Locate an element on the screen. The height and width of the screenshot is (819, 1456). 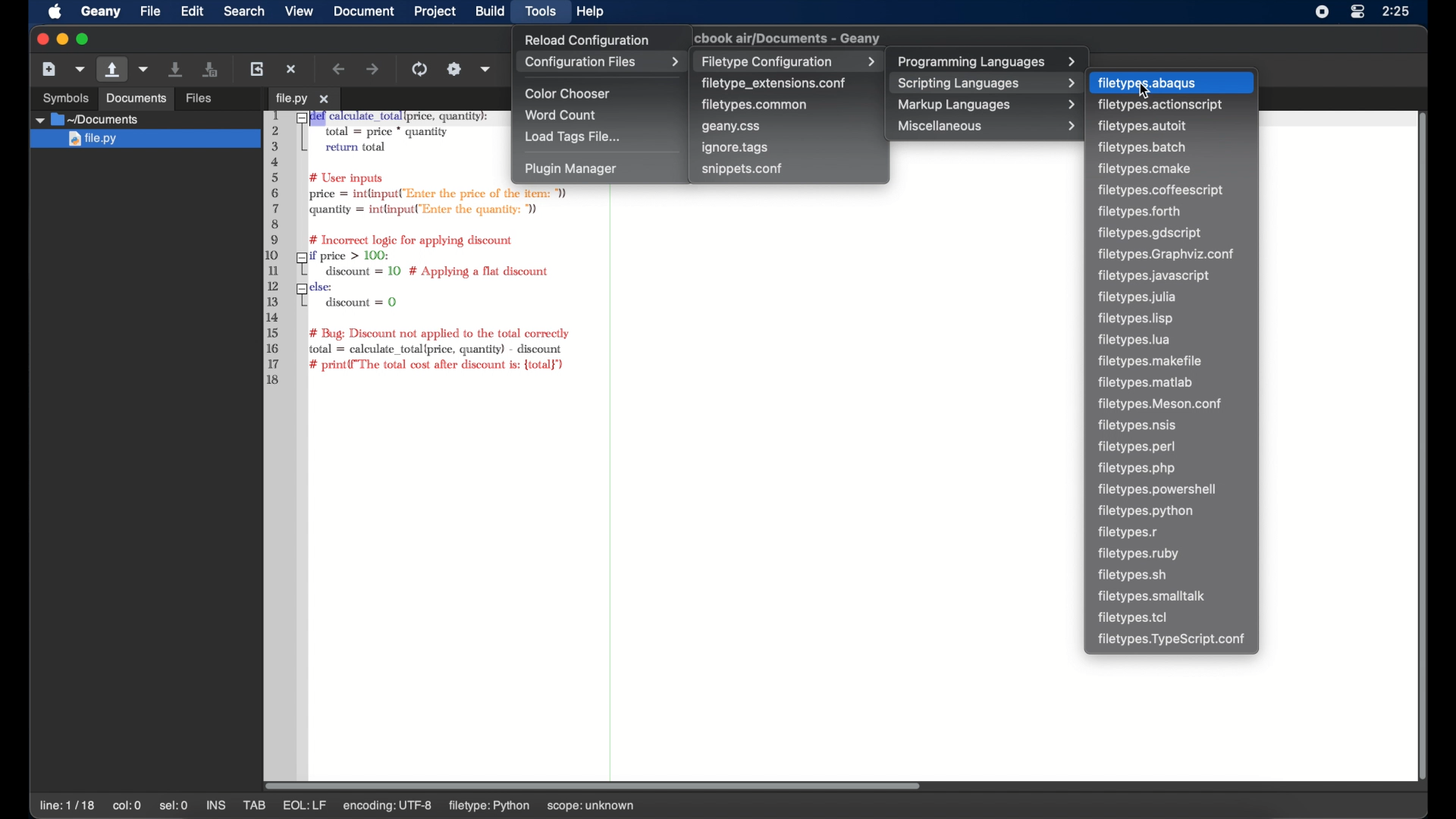
eql:lf is located at coordinates (350, 805).